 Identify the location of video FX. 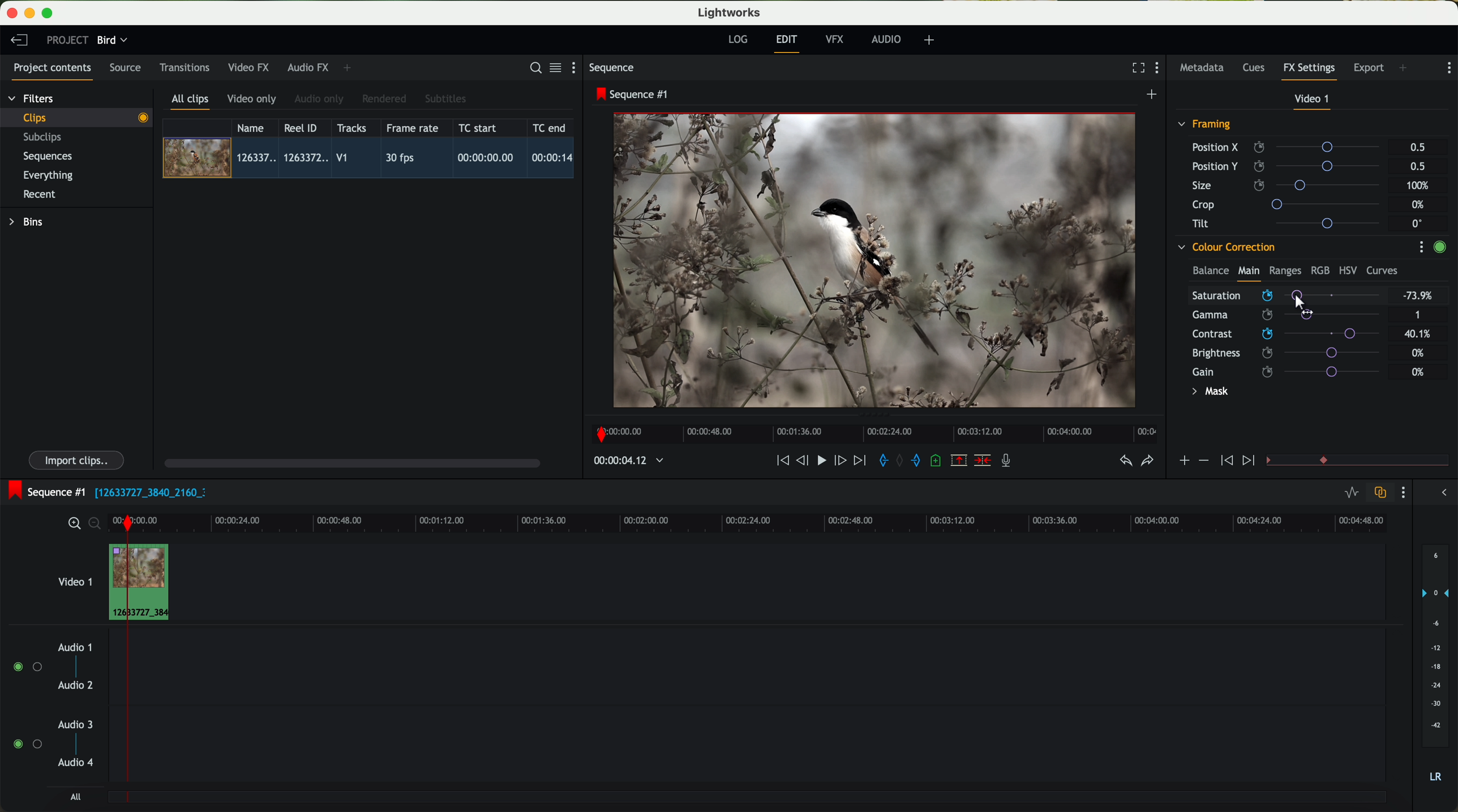
(251, 67).